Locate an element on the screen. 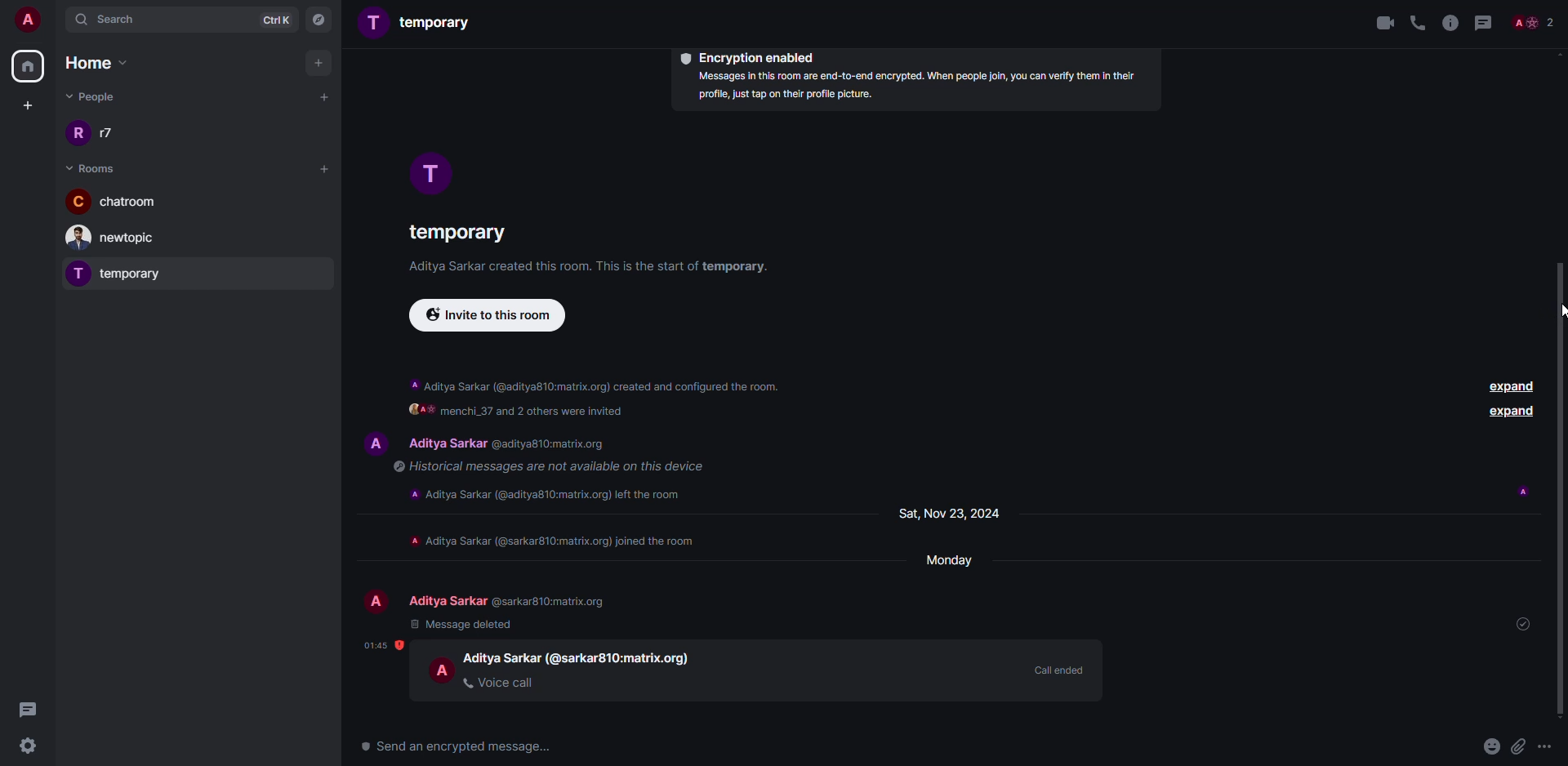  cursor is located at coordinates (1547, 315).